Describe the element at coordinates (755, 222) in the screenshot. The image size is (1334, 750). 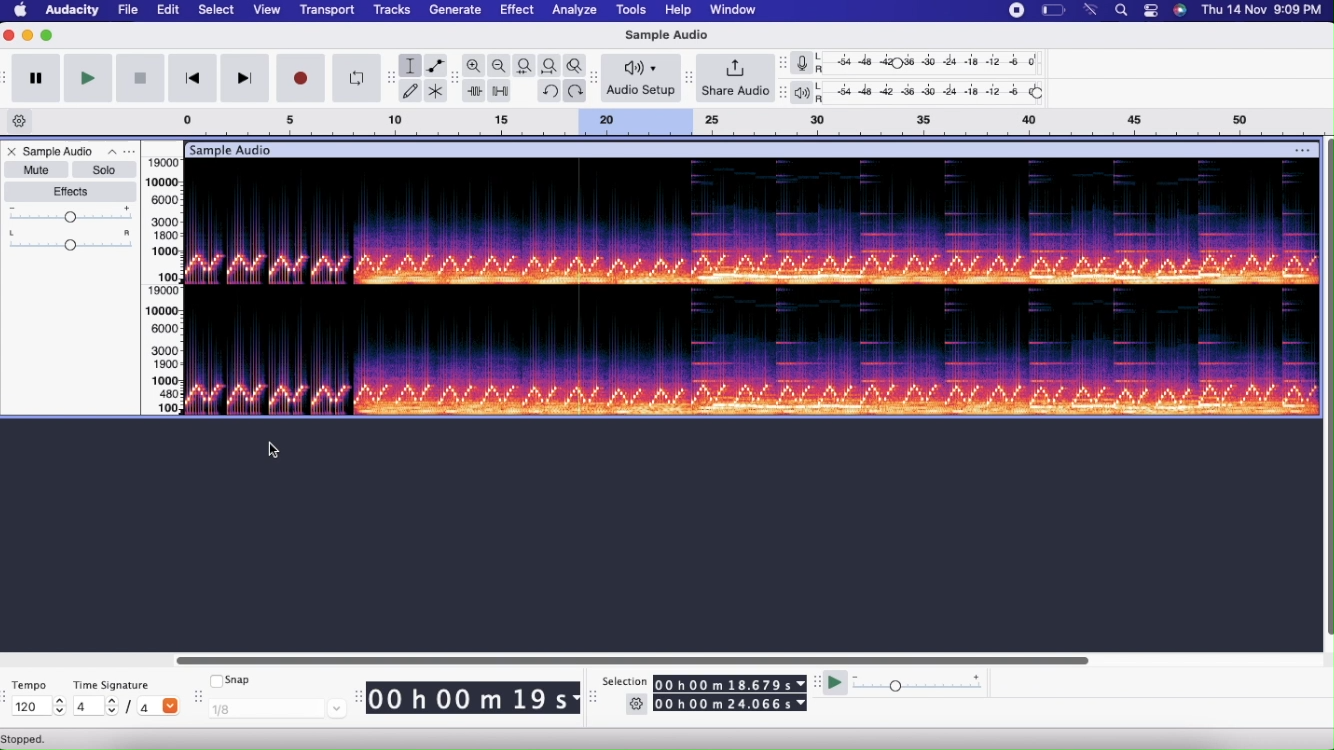
I see `Sample Audio Spectrogram` at that location.